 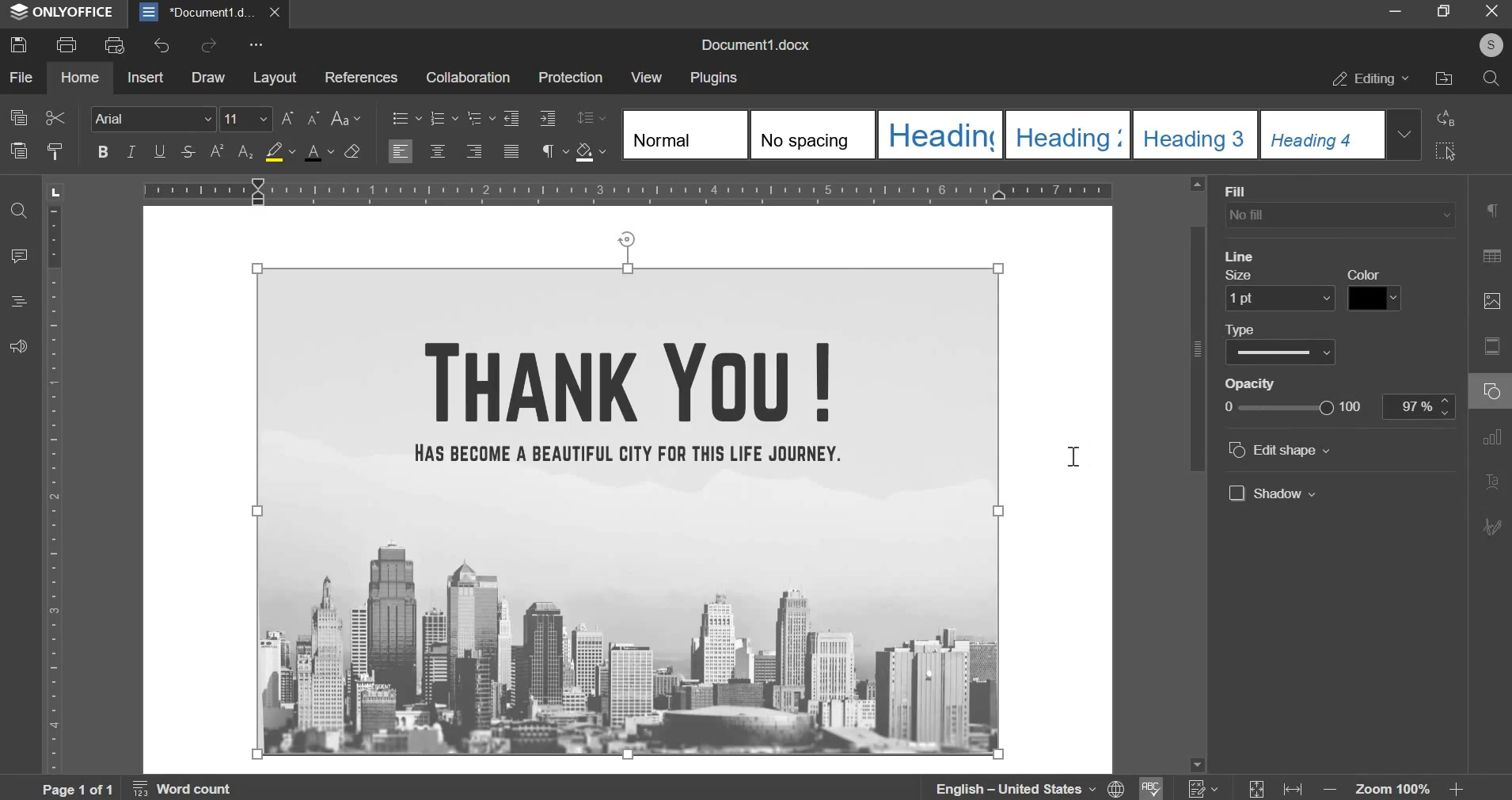 What do you see at coordinates (1192, 135) in the screenshot?
I see `Heading 3` at bounding box center [1192, 135].